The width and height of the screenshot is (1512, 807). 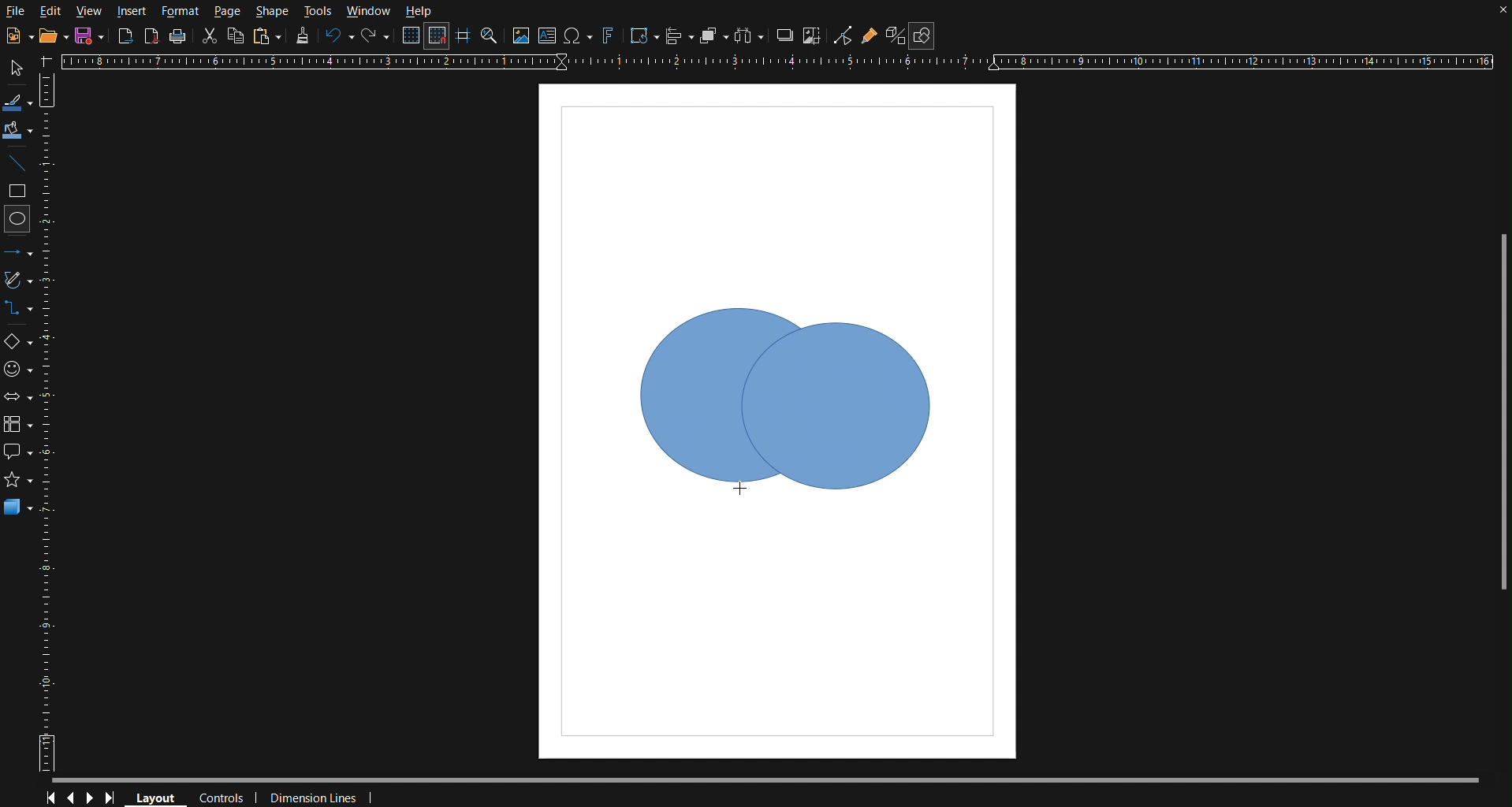 I want to click on Zoom and Pan, so click(x=490, y=38).